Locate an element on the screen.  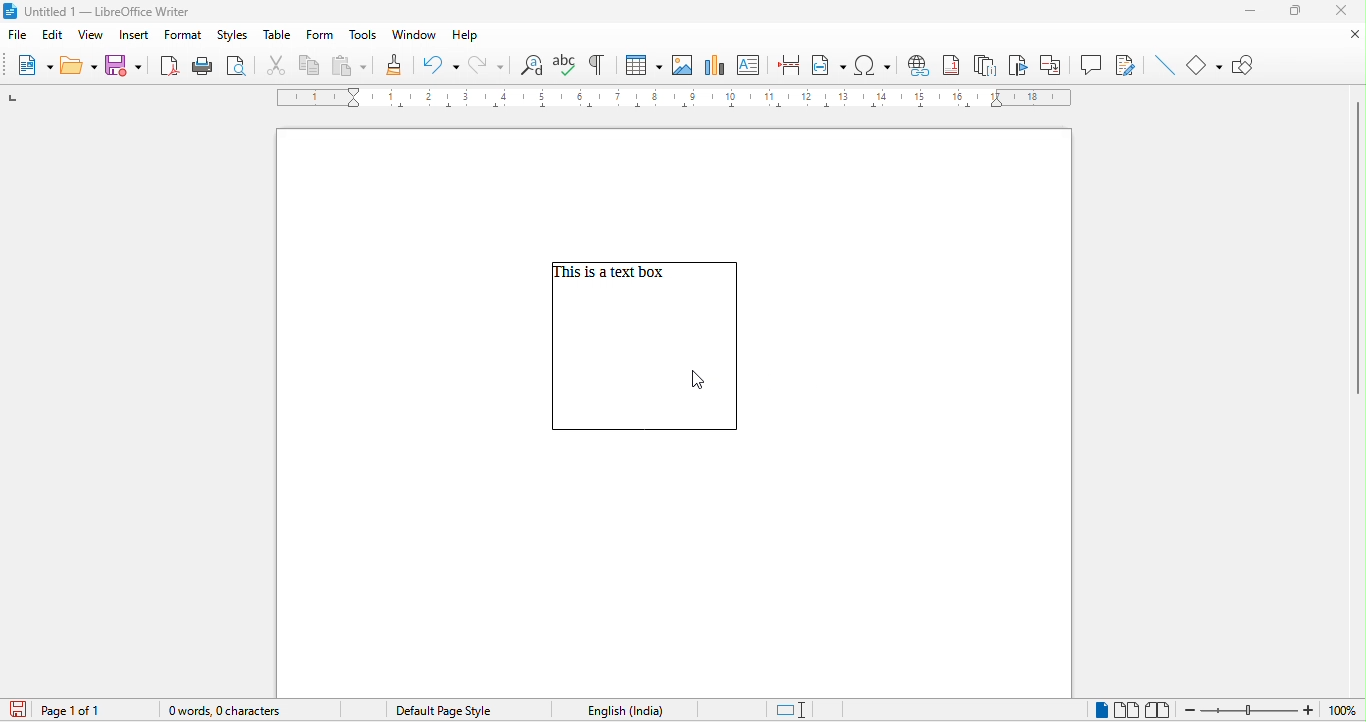
cursor  is located at coordinates (702, 378).